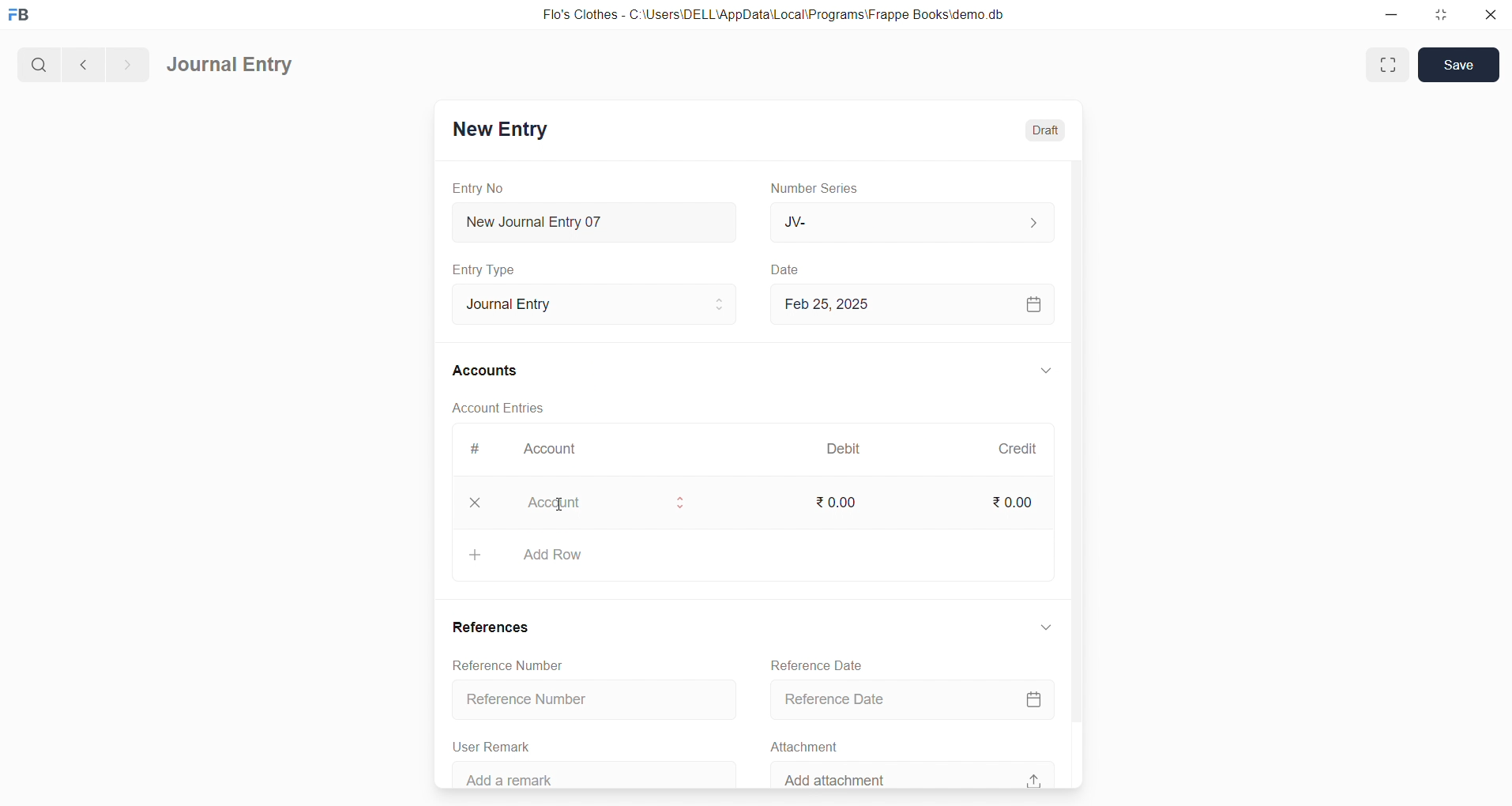 Image resolution: width=1512 pixels, height=806 pixels. Describe the element at coordinates (588, 701) in the screenshot. I see `Reference Number` at that location.